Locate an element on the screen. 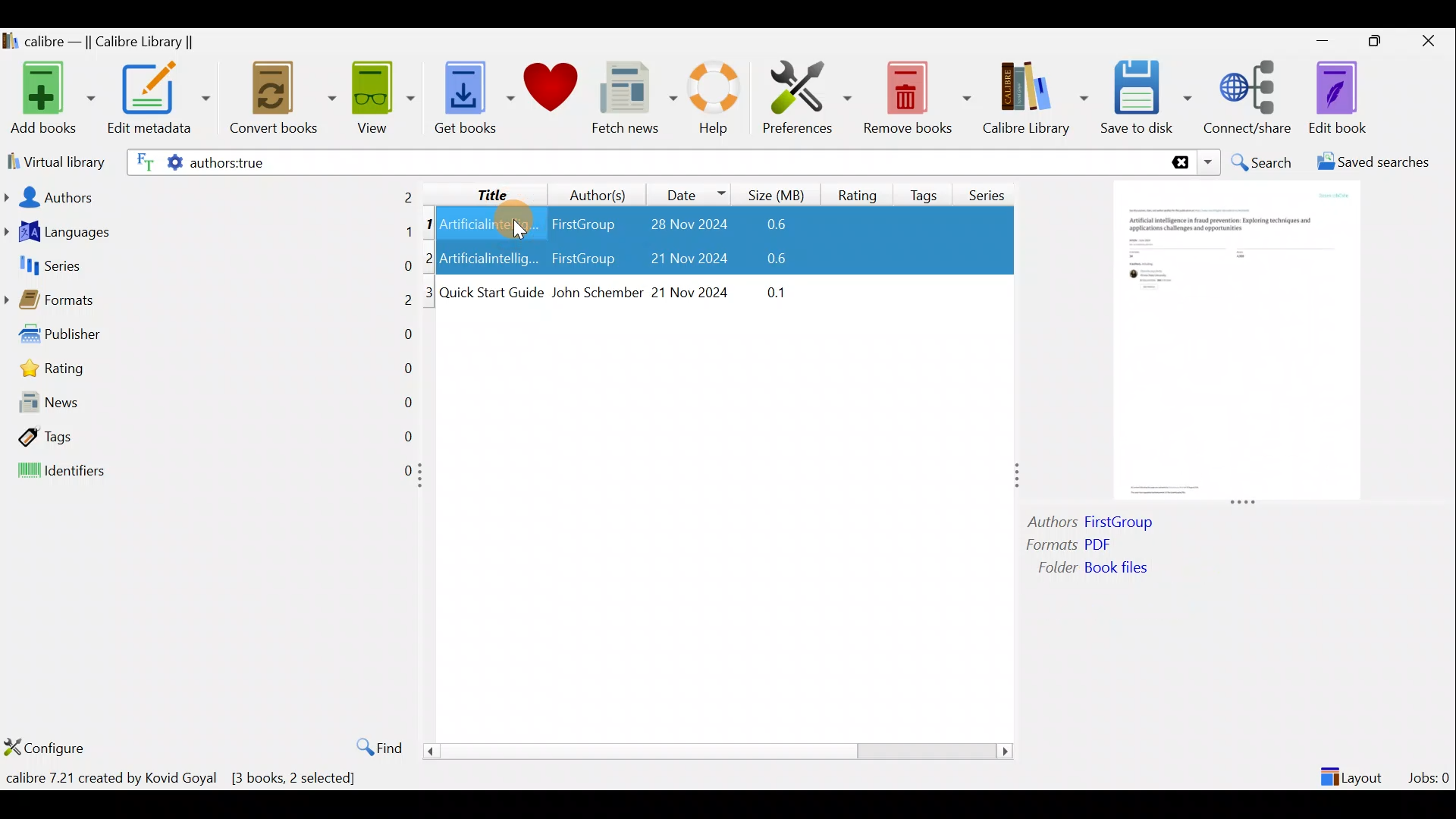 This screenshot has height=819, width=1456. Authors is located at coordinates (210, 196).